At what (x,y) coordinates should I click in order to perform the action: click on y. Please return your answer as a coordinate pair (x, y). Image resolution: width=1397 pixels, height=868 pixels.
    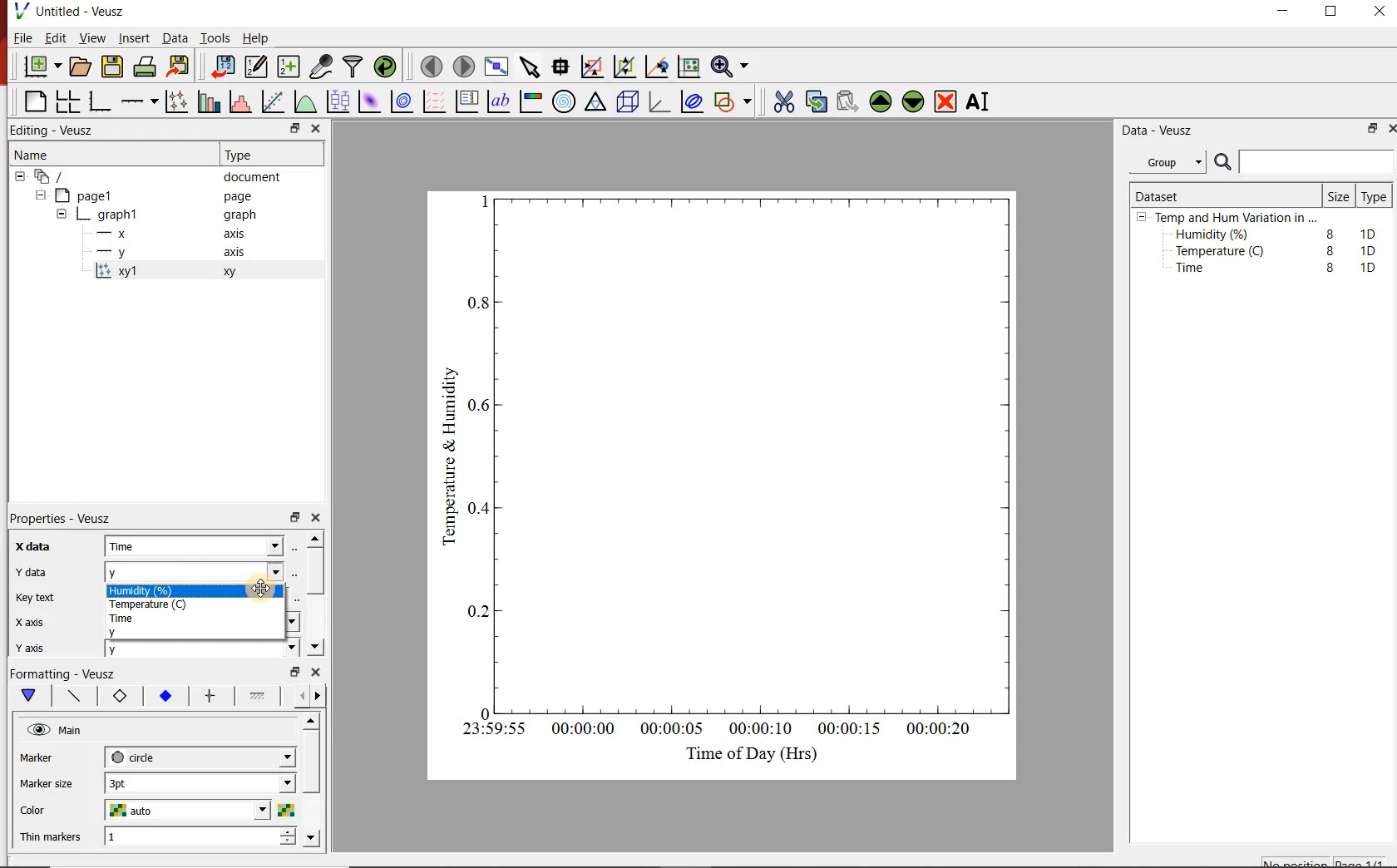
    Looking at the image, I should click on (126, 252).